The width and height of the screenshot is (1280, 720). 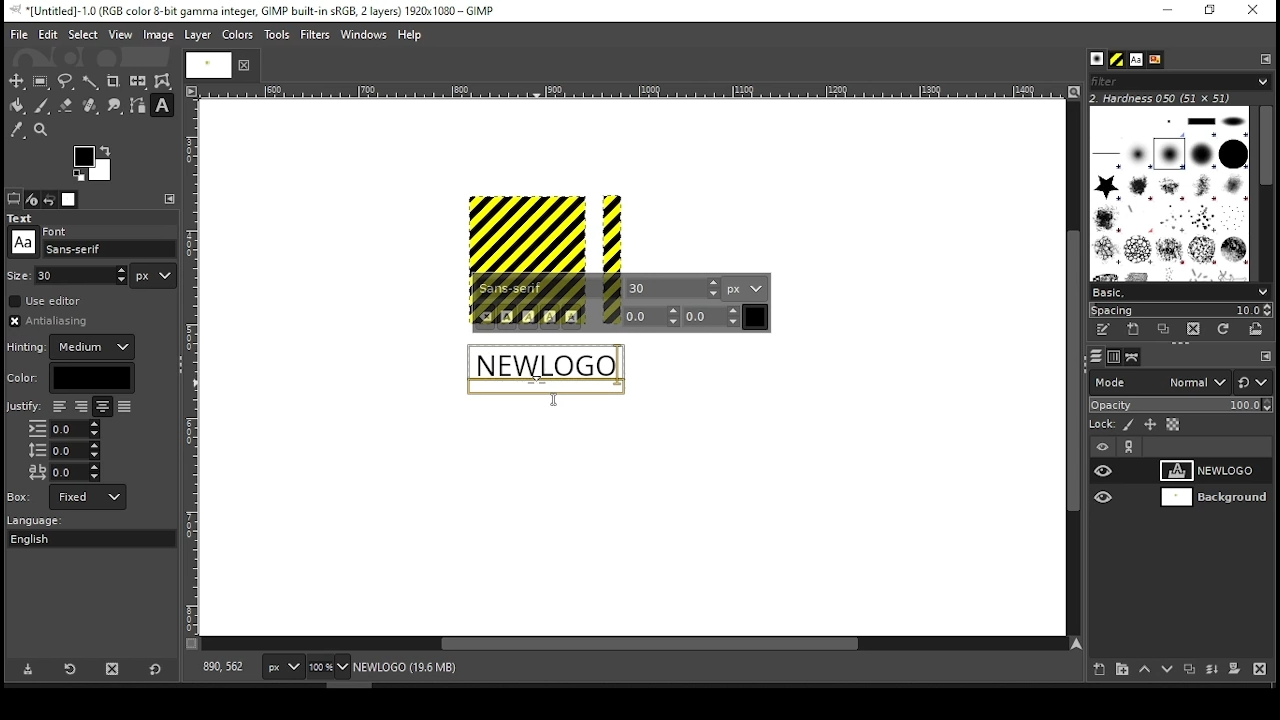 I want to click on change baseline of selected text, so click(x=652, y=316).